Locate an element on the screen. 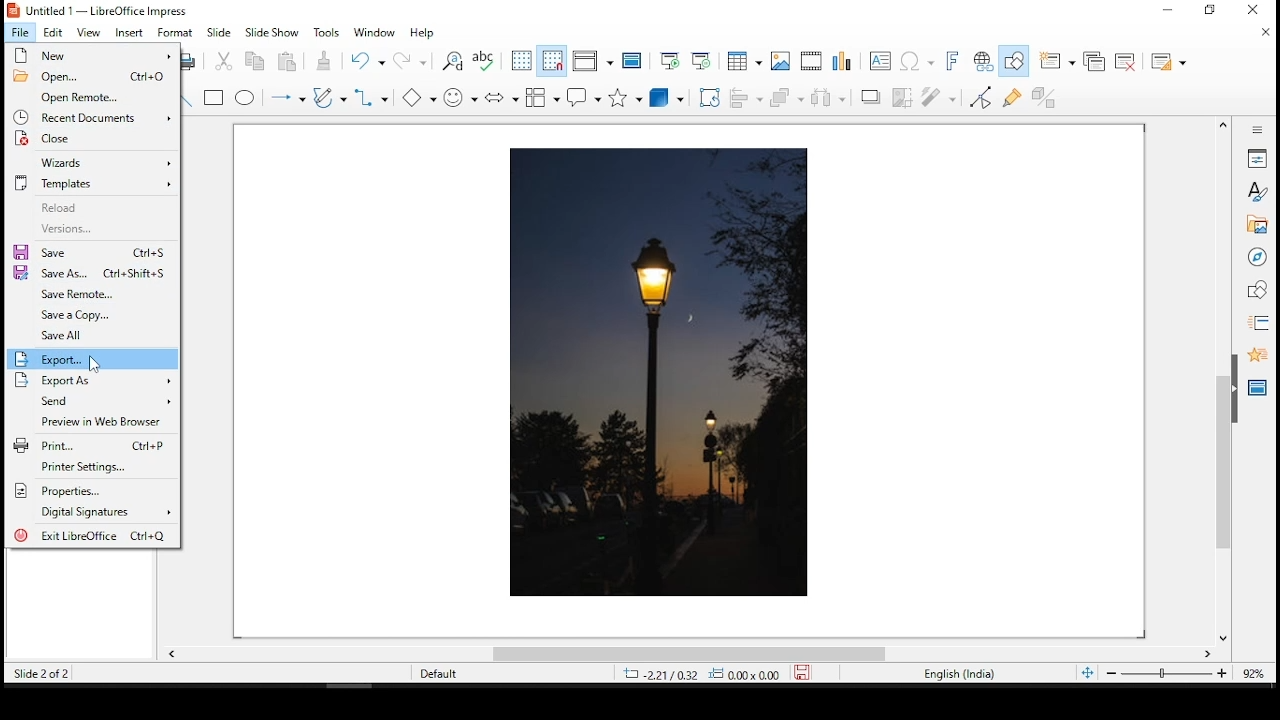 This screenshot has height=720, width=1280. crop image is located at coordinates (905, 98).